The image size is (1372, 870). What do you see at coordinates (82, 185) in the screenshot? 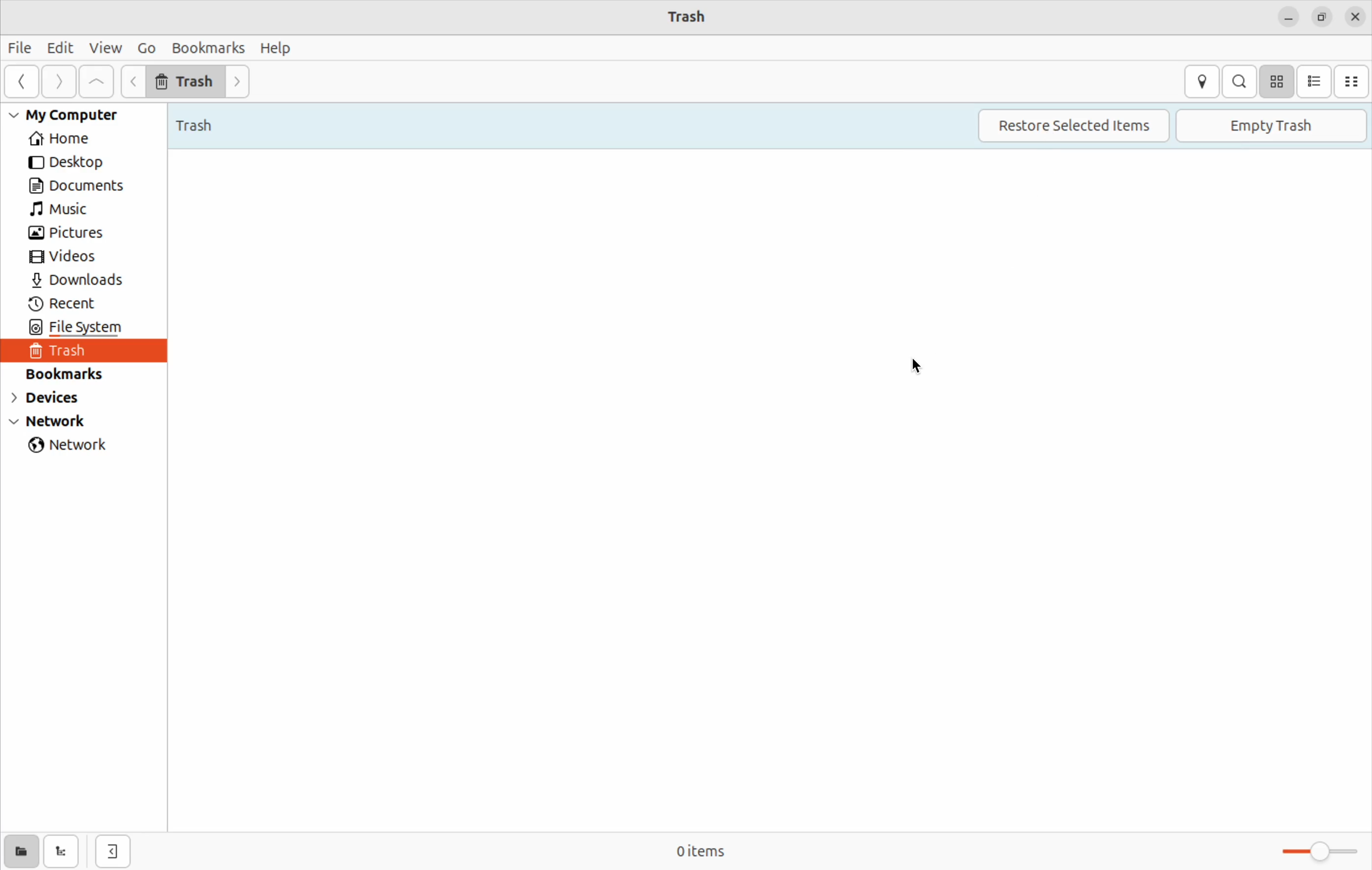
I see `Documents` at bounding box center [82, 185].